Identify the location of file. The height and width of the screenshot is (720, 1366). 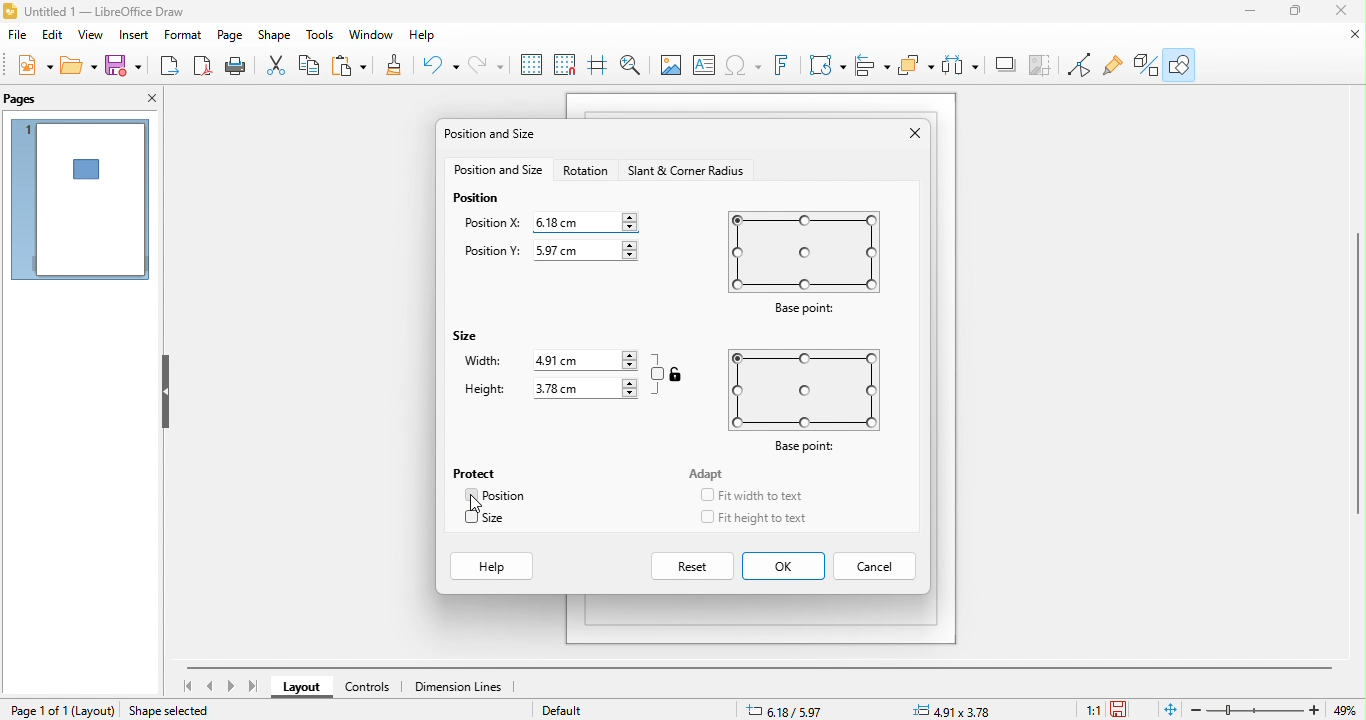
(17, 35).